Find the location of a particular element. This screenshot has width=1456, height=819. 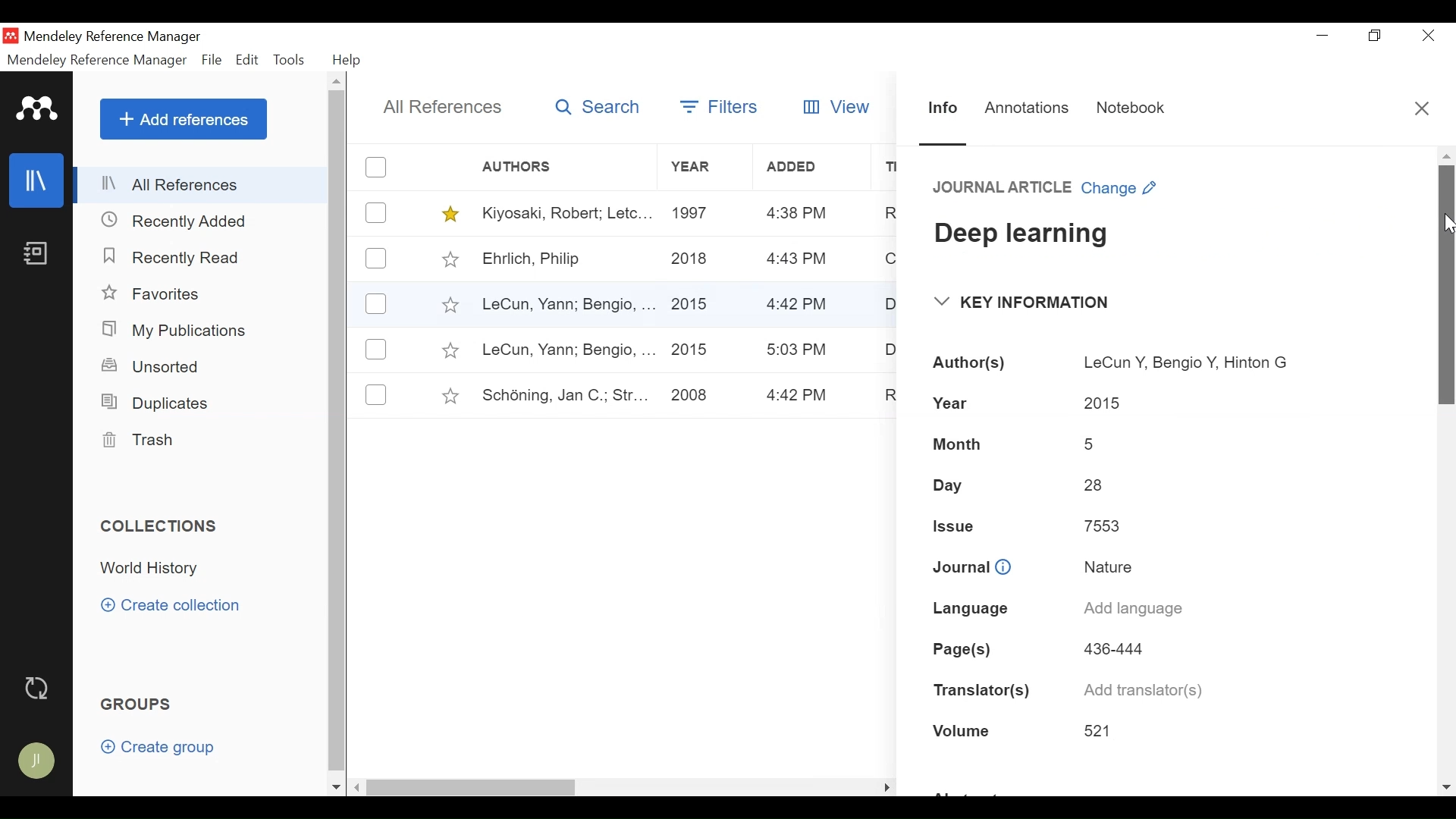

Trash is located at coordinates (137, 441).